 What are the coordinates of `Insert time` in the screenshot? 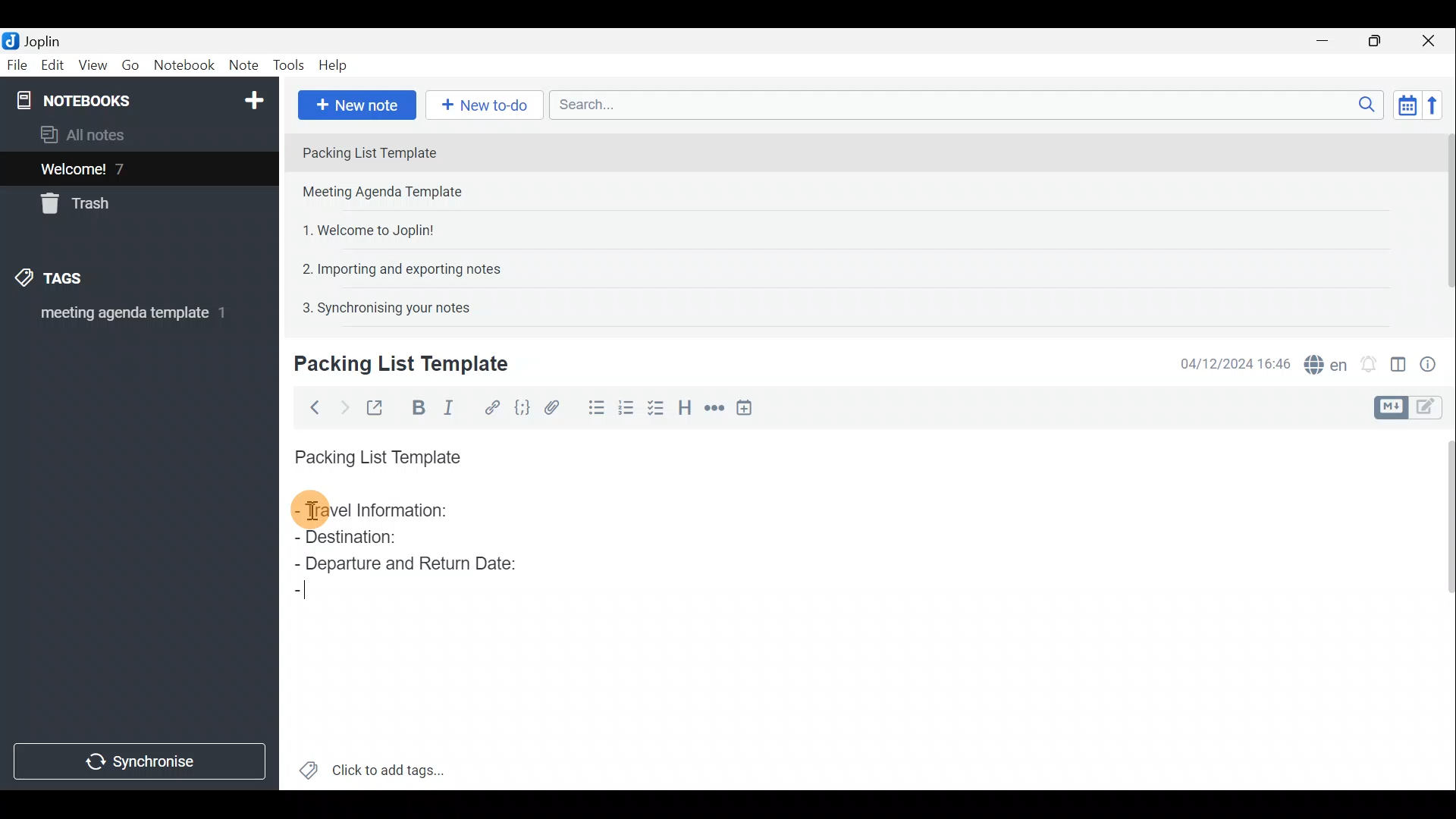 It's located at (749, 407).